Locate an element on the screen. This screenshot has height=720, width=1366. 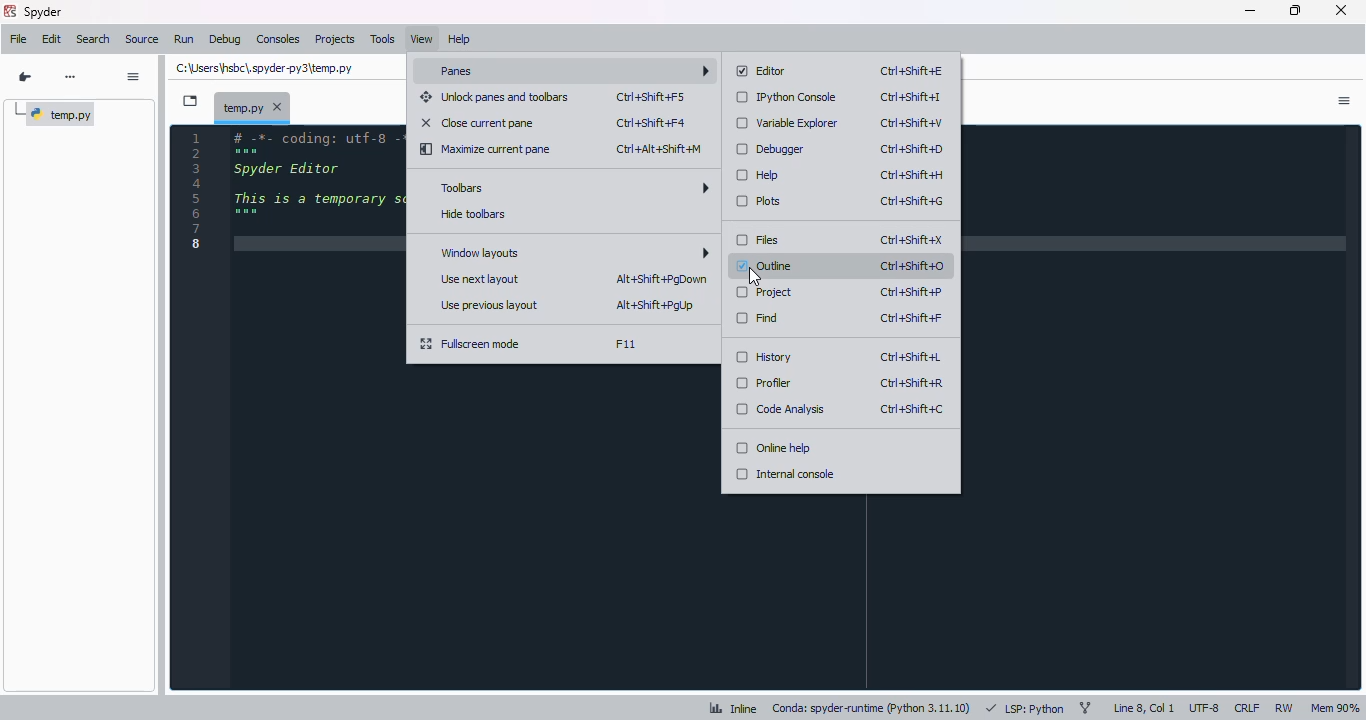
RW is located at coordinates (1284, 706).